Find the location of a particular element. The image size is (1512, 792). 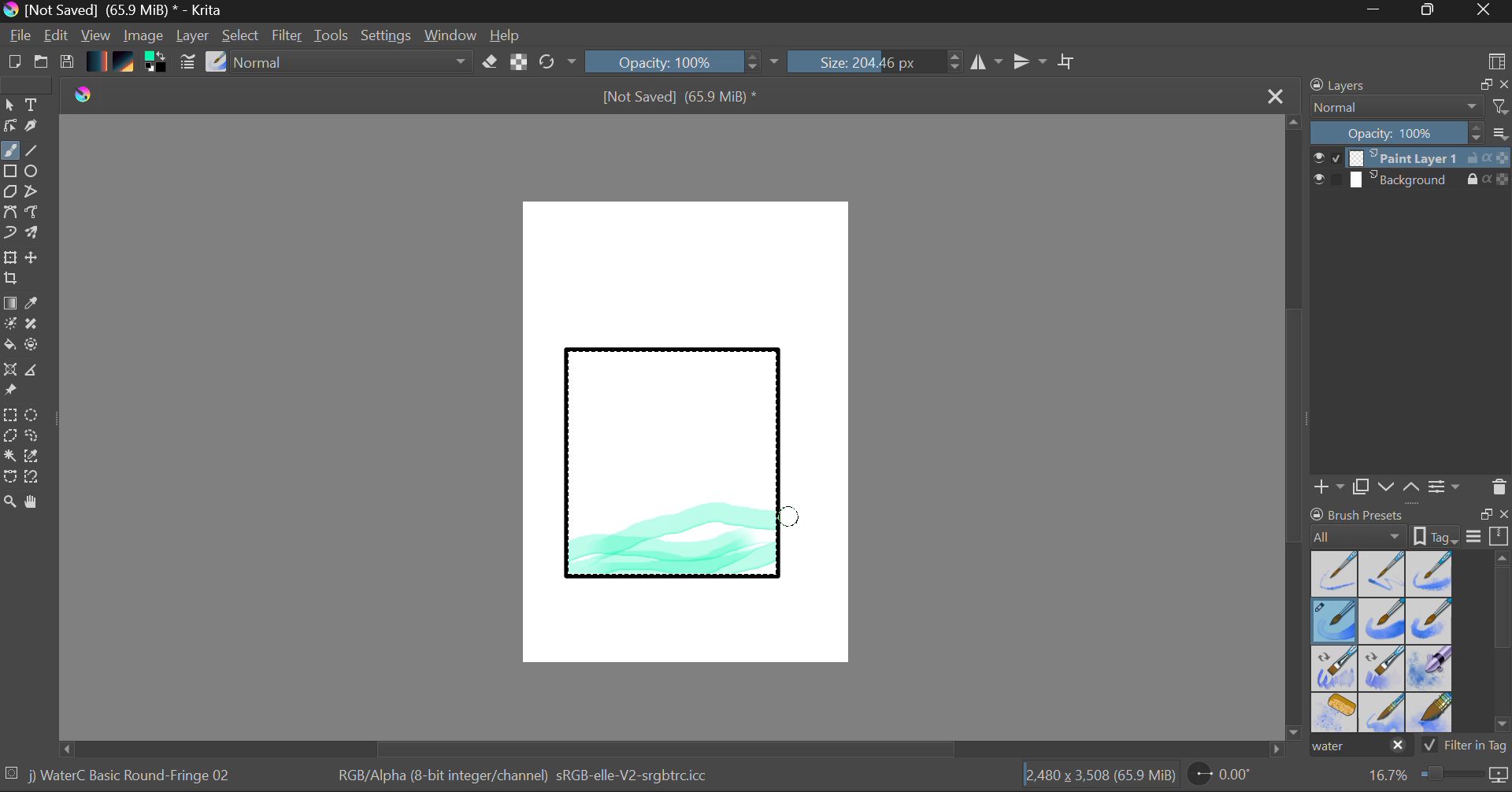

Blending Tool is located at coordinates (354, 63).